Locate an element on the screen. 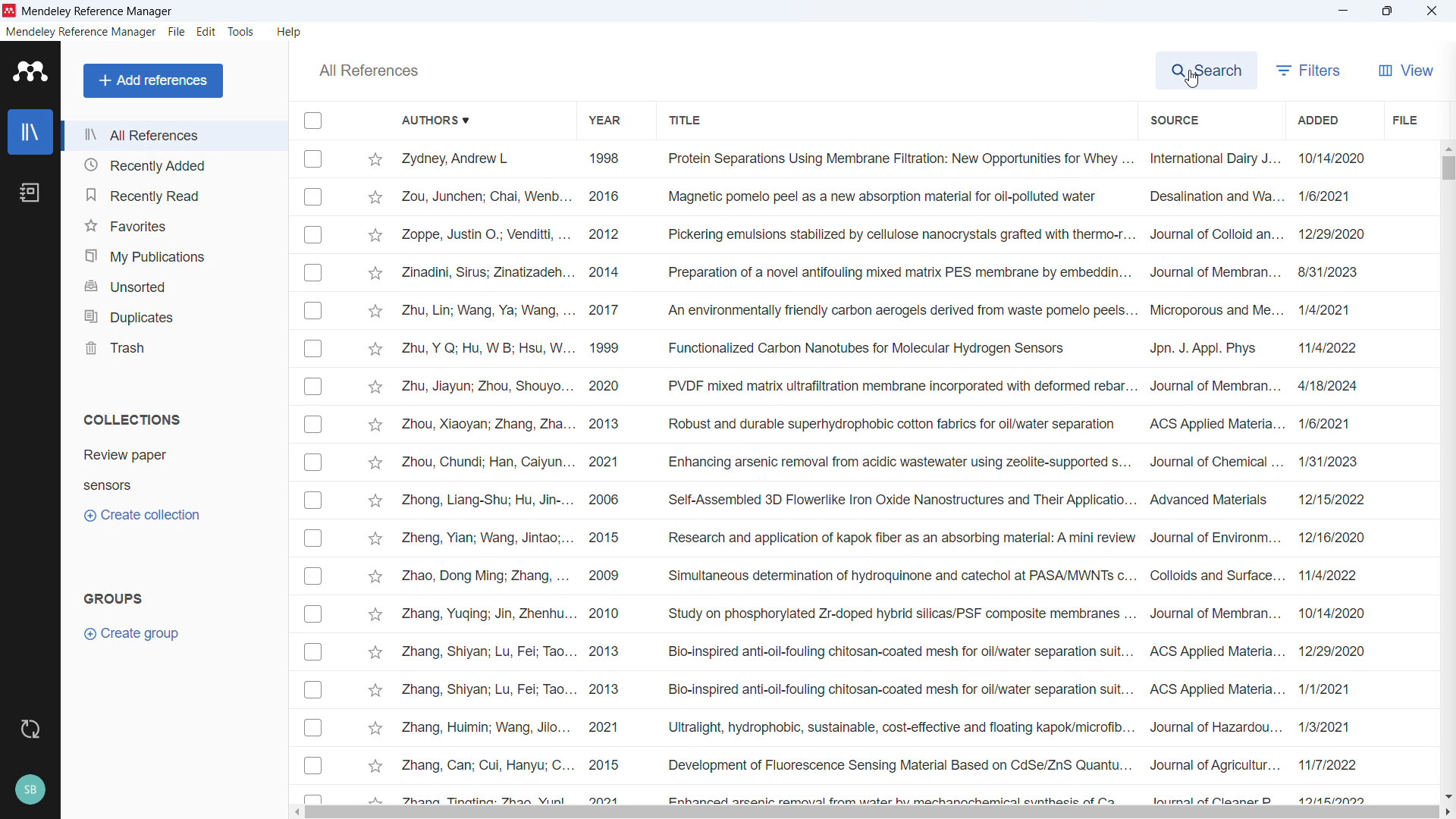  Trash  is located at coordinates (173, 345).